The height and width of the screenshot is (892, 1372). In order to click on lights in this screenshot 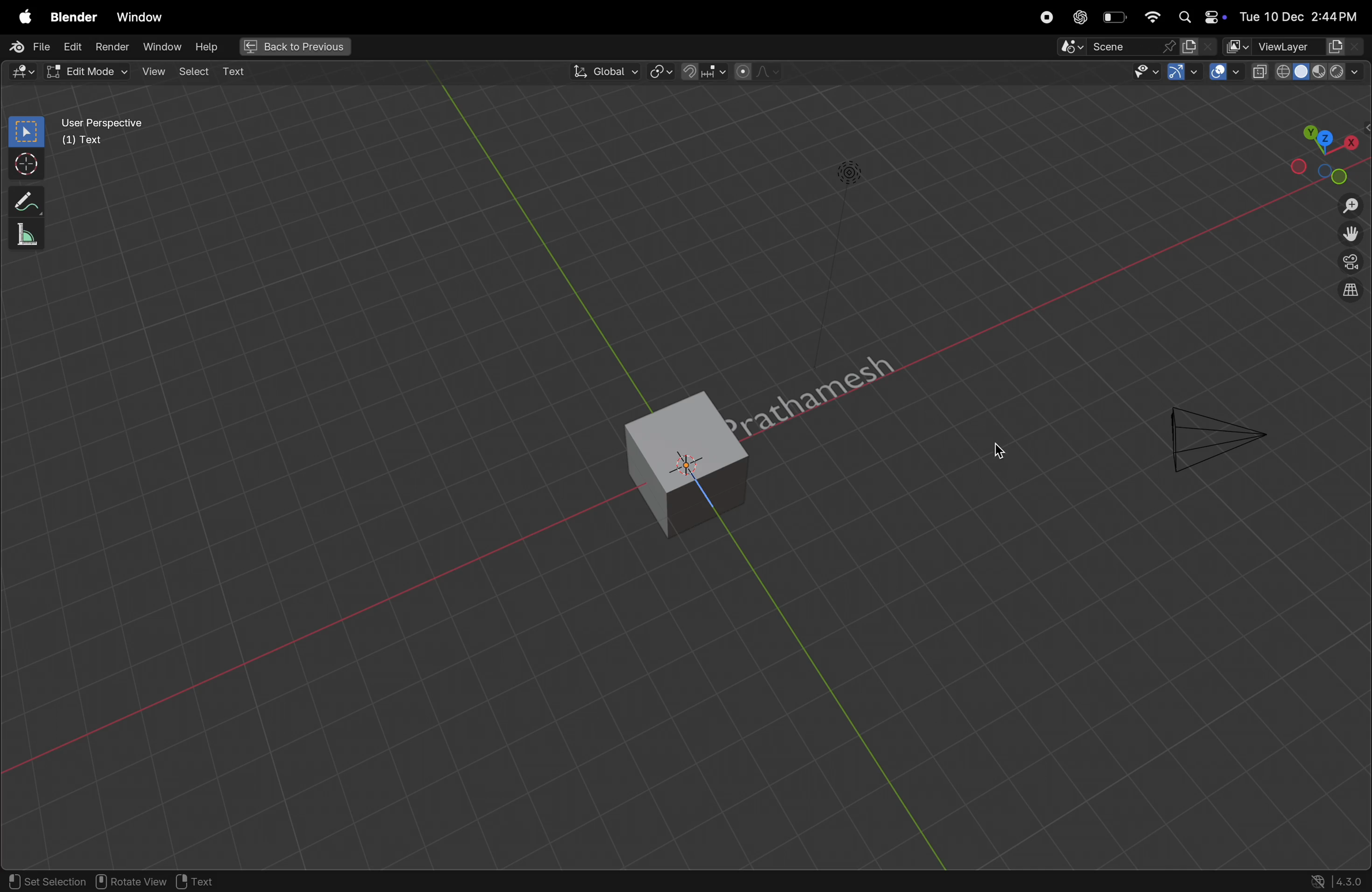, I will do `click(851, 174)`.